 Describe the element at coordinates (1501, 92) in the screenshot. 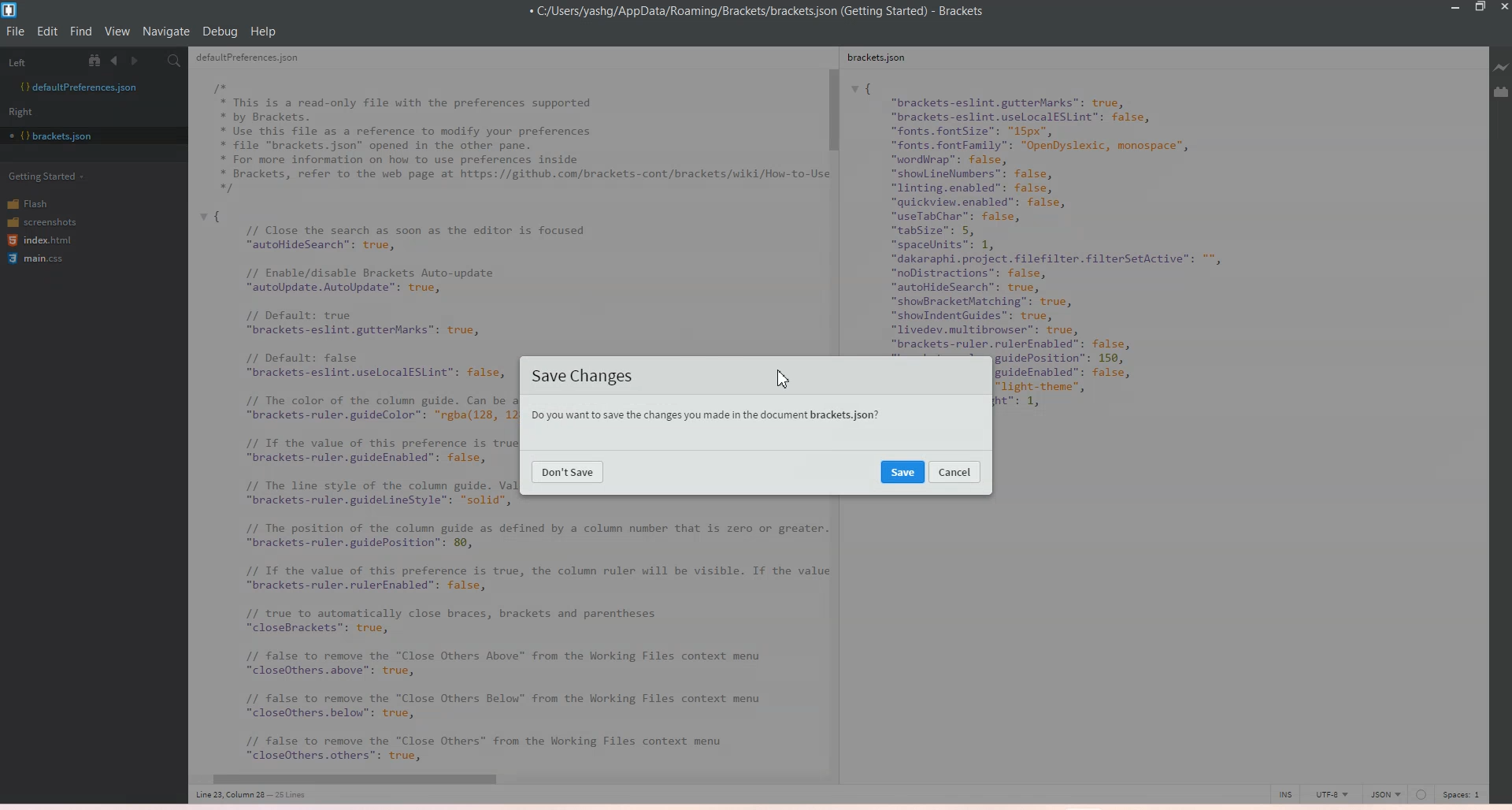

I see `Extension Manager` at that location.